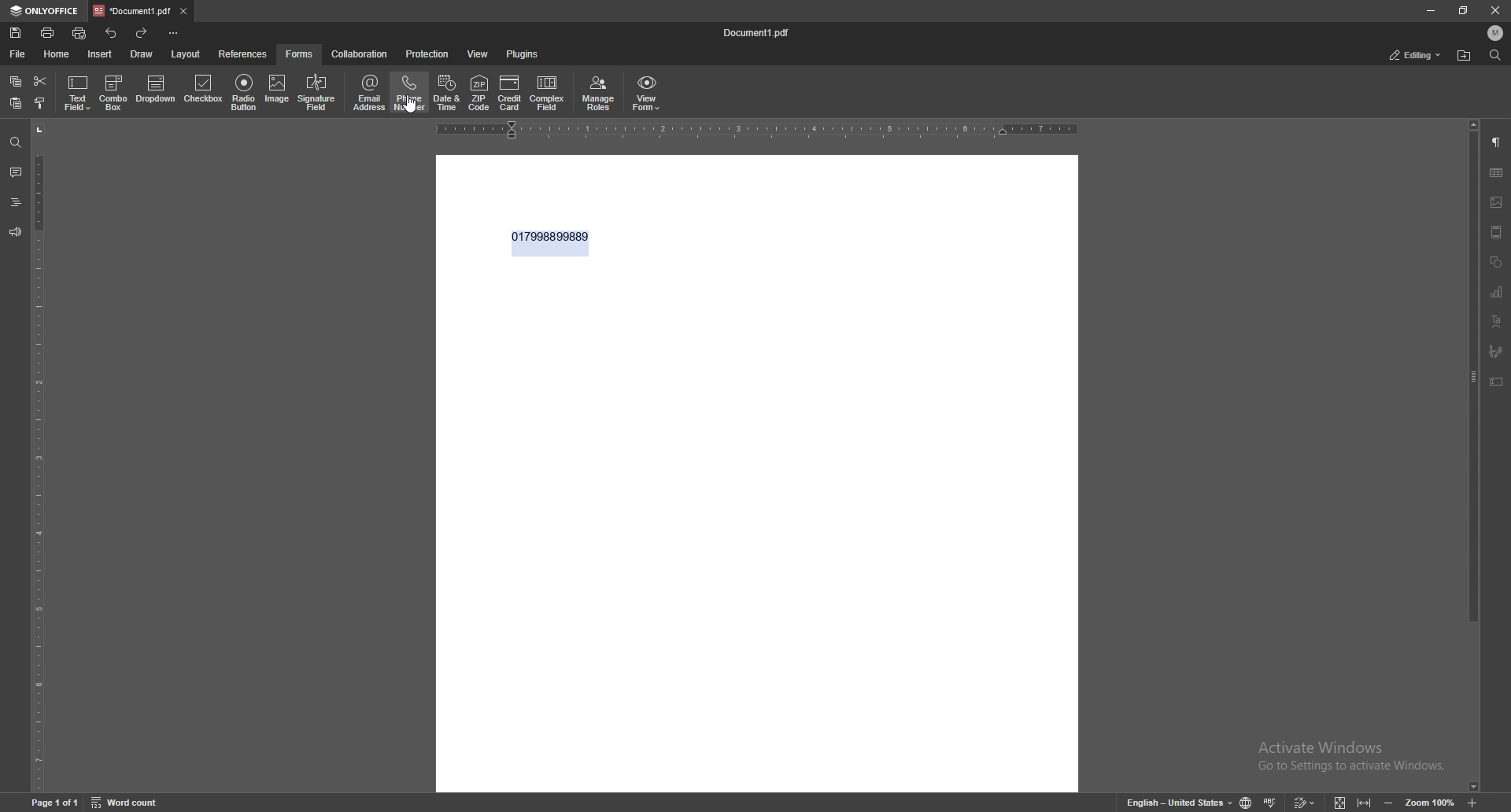 The height and width of the screenshot is (812, 1511). Describe the element at coordinates (481, 93) in the screenshot. I see `zip code` at that location.